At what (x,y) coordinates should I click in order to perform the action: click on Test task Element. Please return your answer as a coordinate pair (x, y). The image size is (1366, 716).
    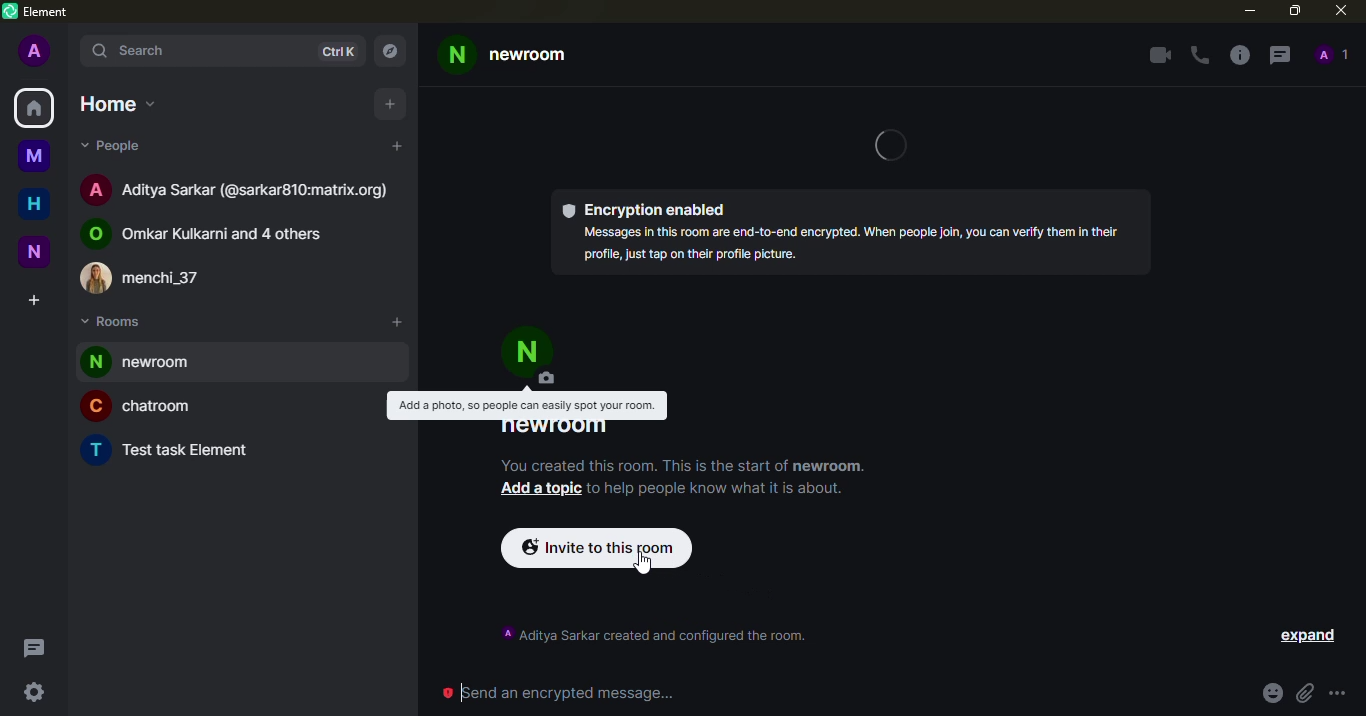
    Looking at the image, I should click on (170, 450).